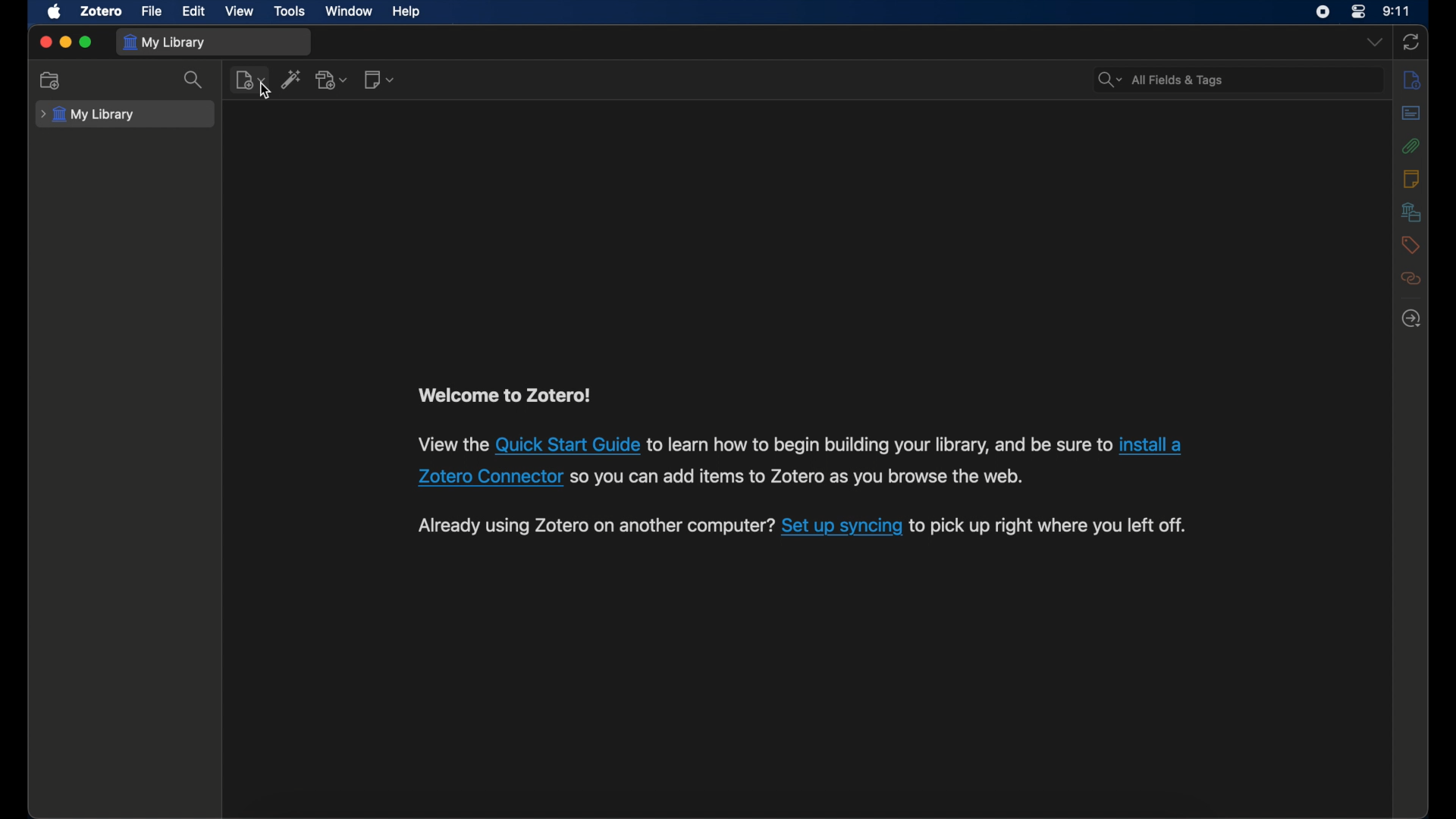 This screenshot has height=819, width=1456. Describe the element at coordinates (290, 11) in the screenshot. I see `tools` at that location.